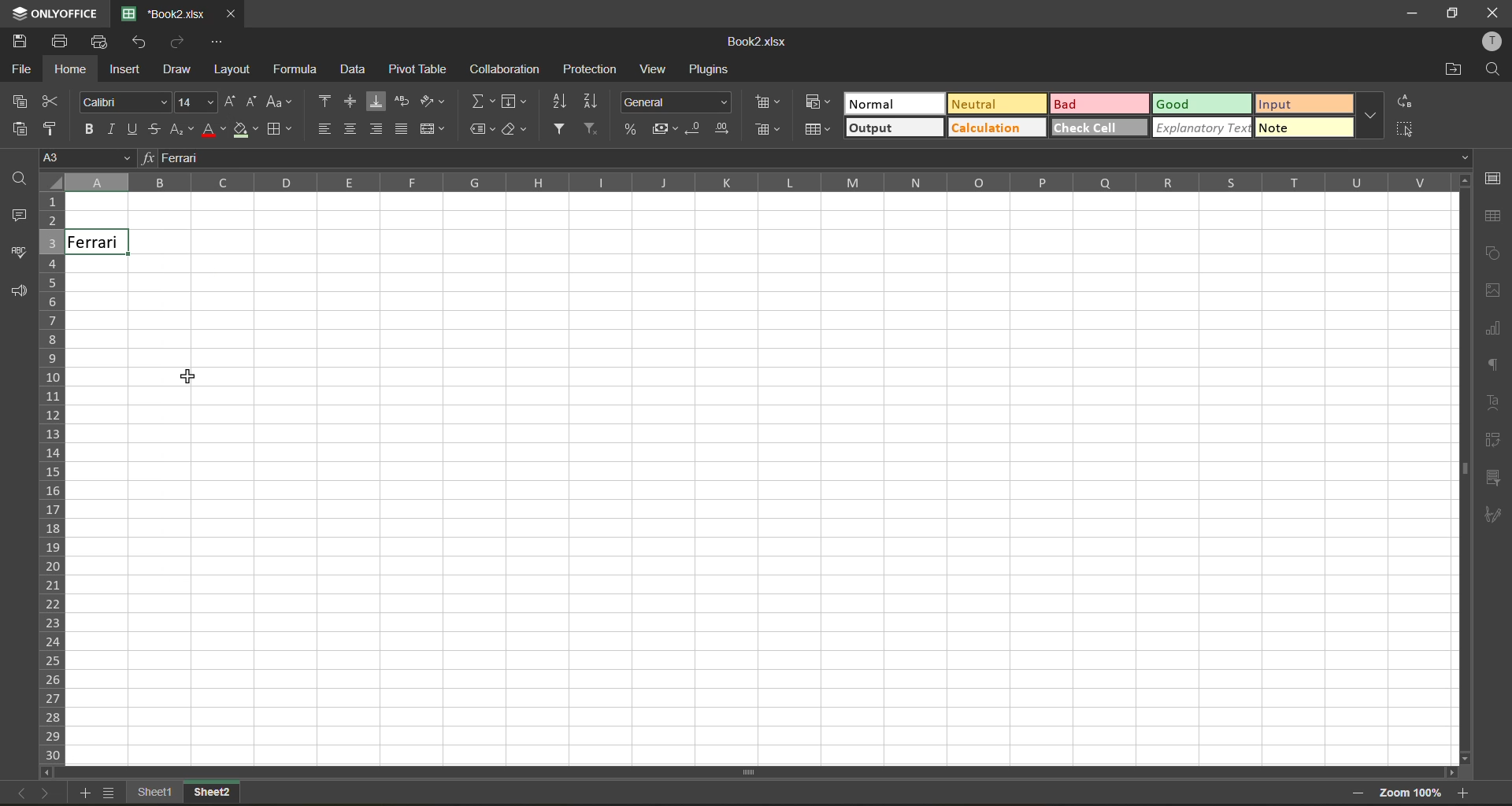  I want to click on slicer, so click(1494, 477).